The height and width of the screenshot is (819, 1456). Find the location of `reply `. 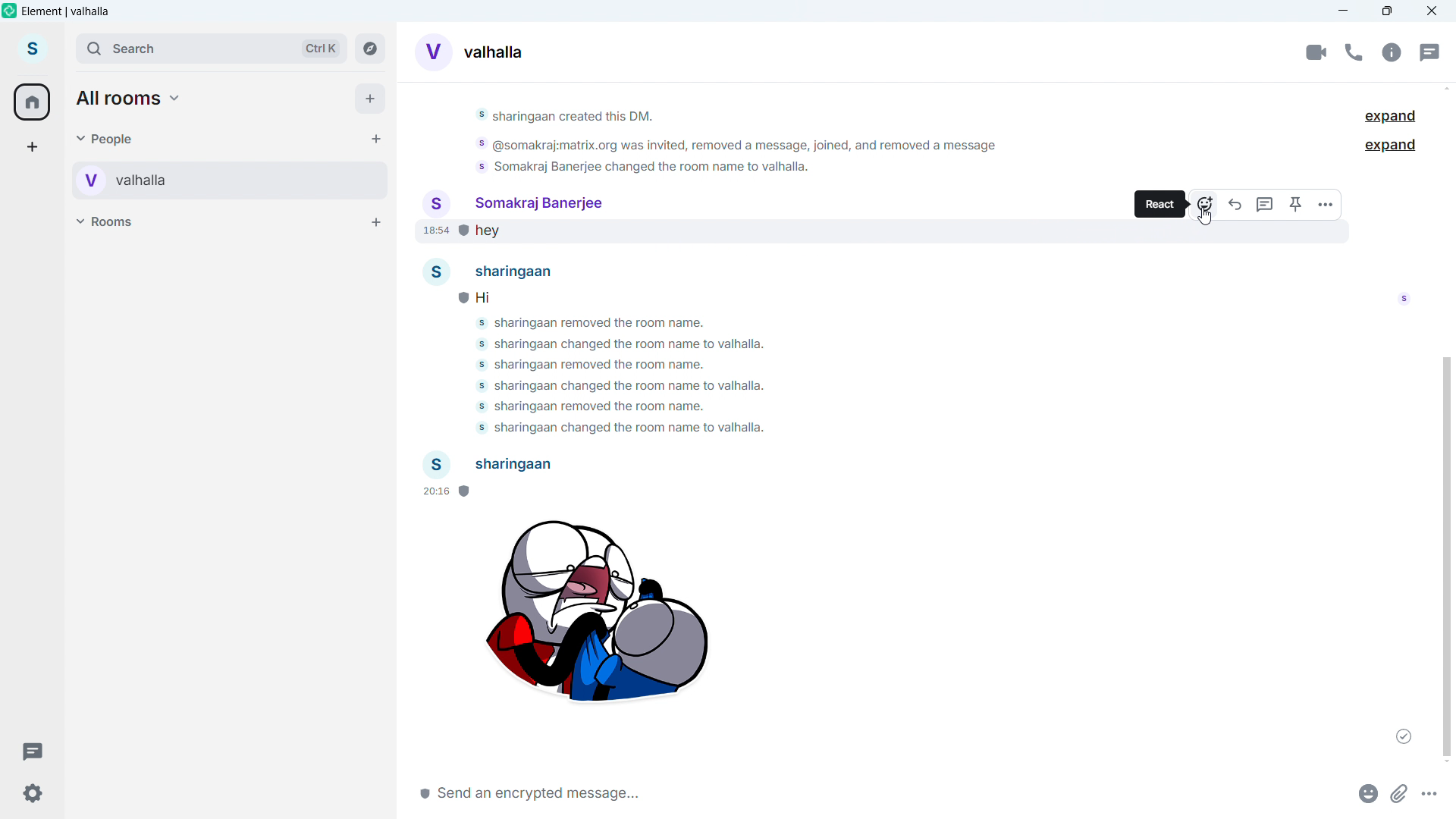

reply  is located at coordinates (1236, 203).